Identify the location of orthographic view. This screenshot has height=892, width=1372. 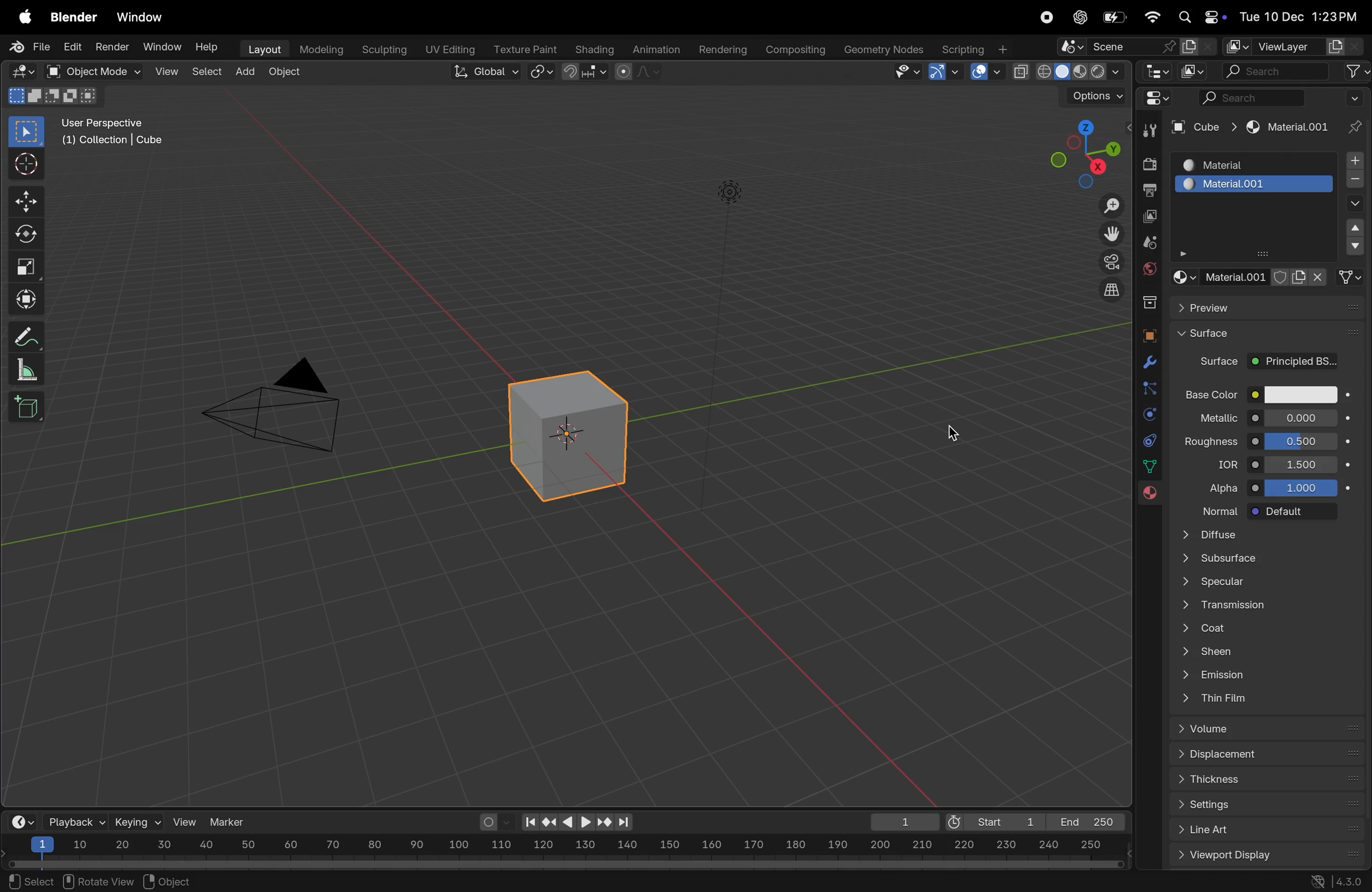
(1113, 289).